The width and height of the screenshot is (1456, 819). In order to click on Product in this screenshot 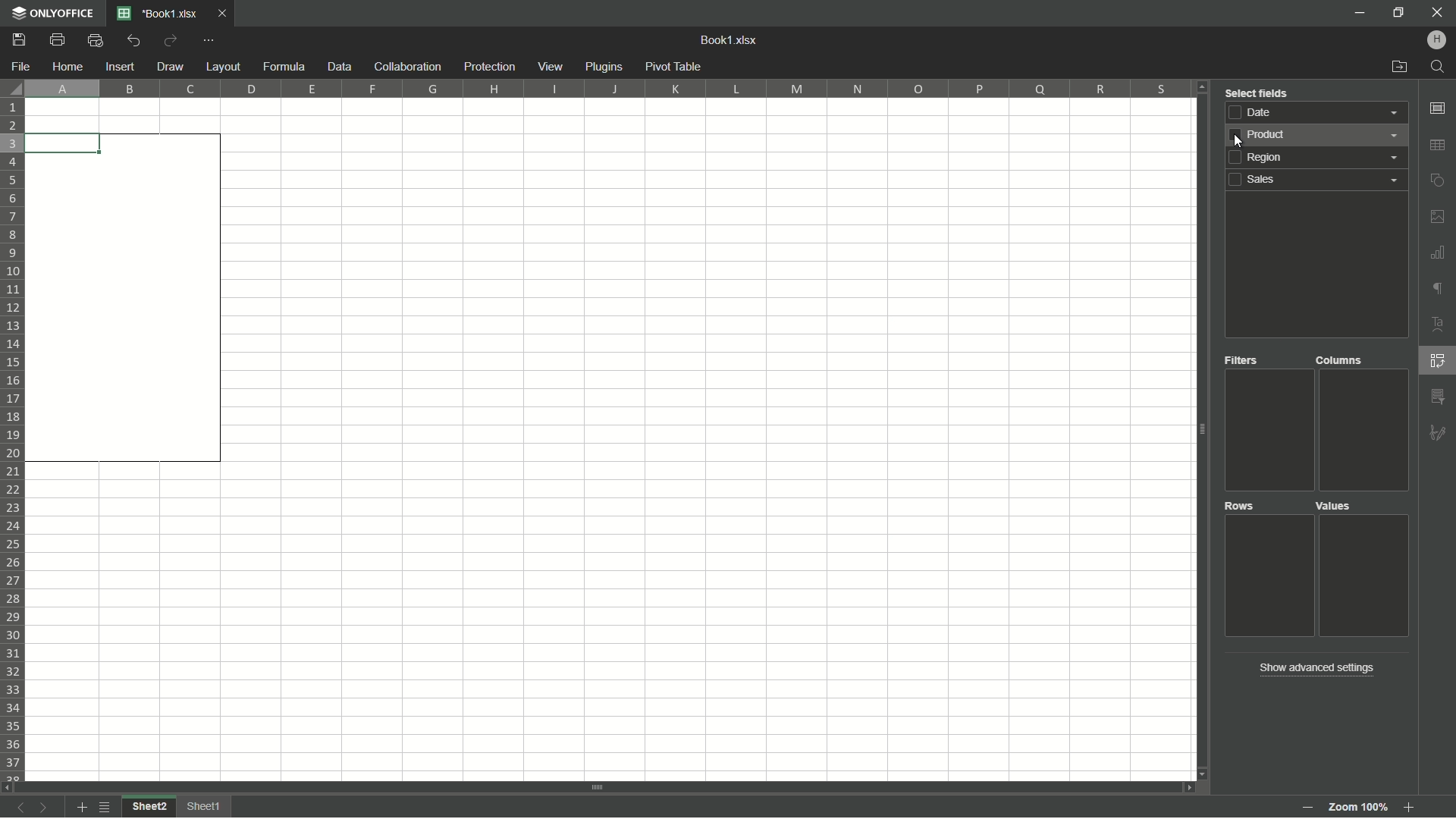, I will do `click(1318, 137)`.